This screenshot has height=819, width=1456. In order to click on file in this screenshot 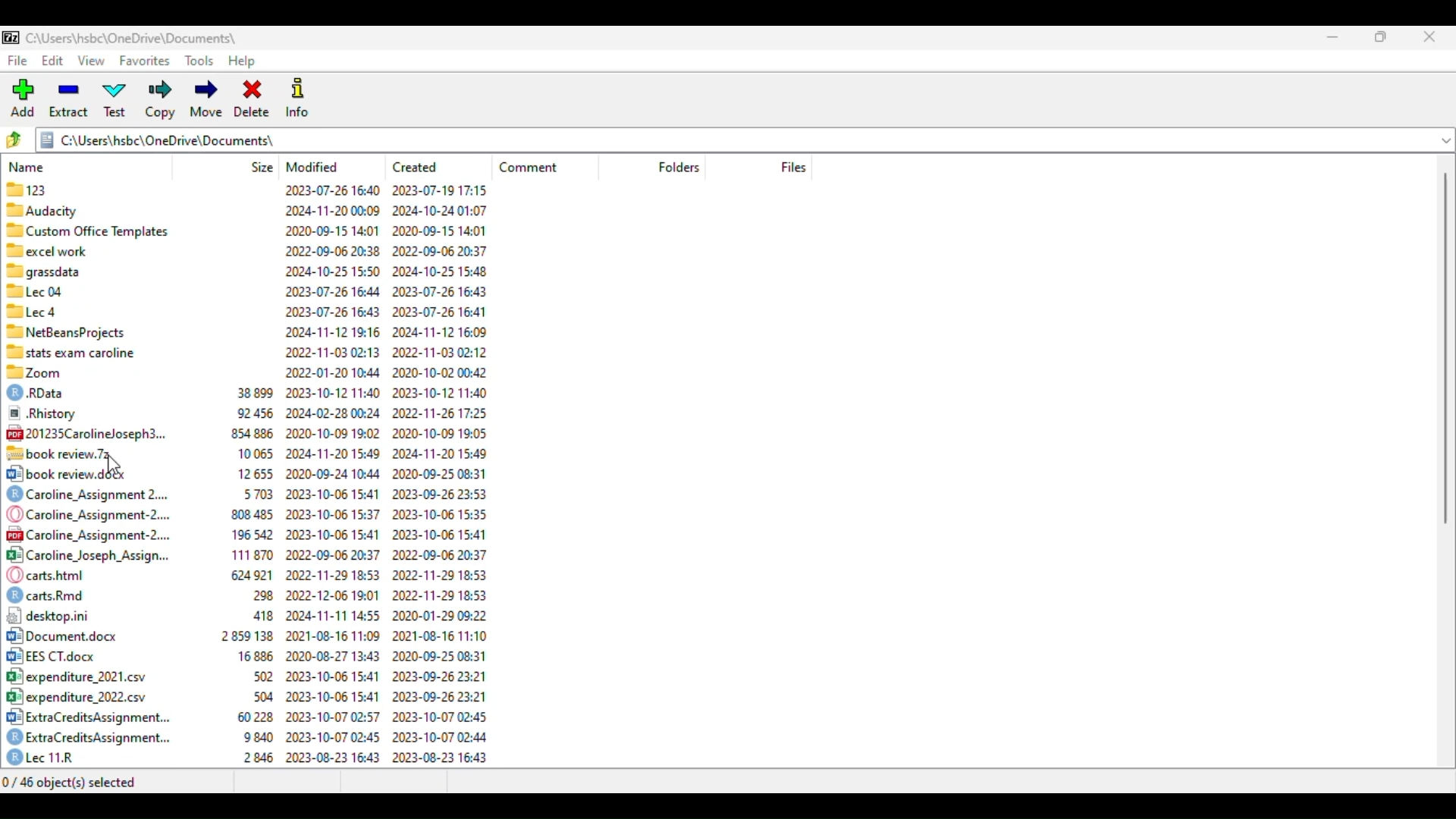, I will do `click(17, 60)`.